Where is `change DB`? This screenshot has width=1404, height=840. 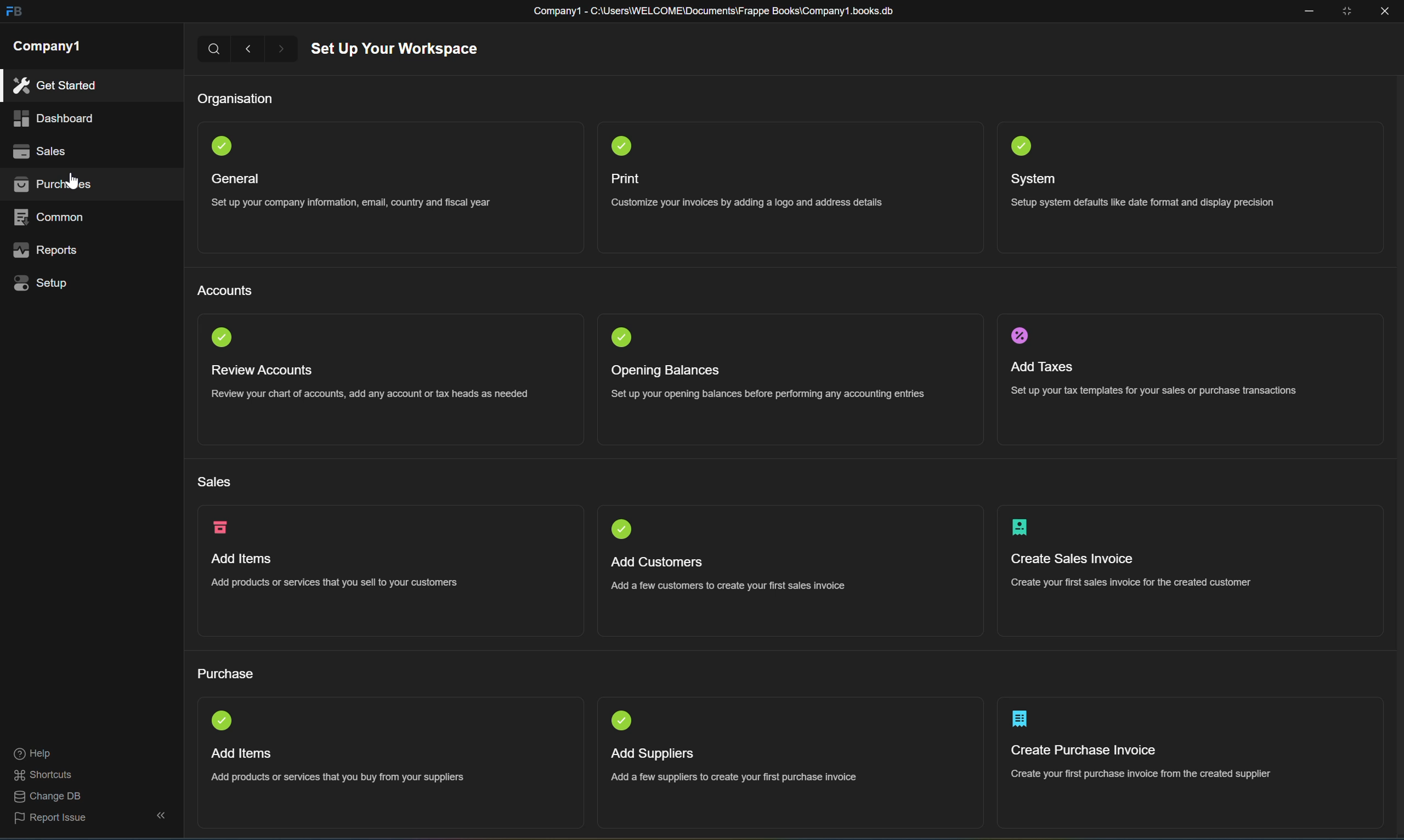
change DB is located at coordinates (44, 798).